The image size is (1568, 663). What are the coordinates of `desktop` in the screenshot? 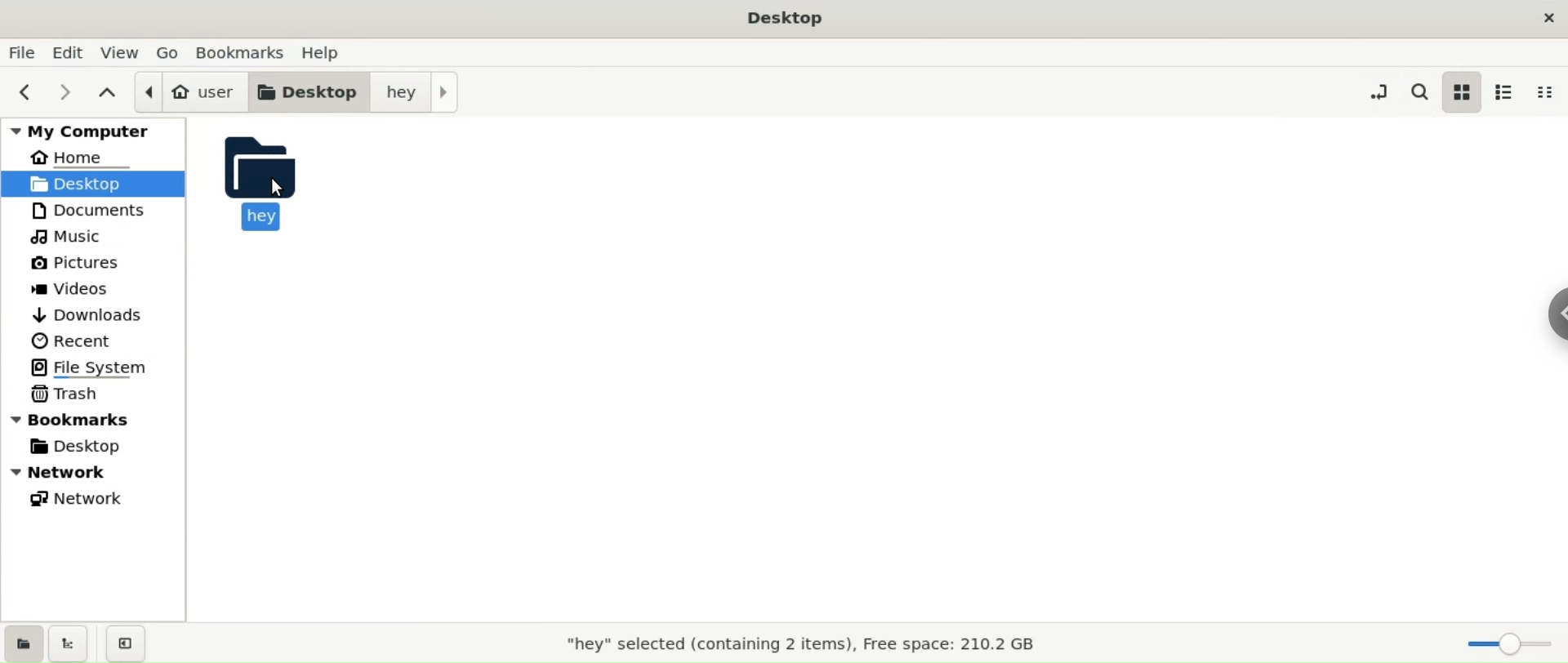 It's located at (306, 92).